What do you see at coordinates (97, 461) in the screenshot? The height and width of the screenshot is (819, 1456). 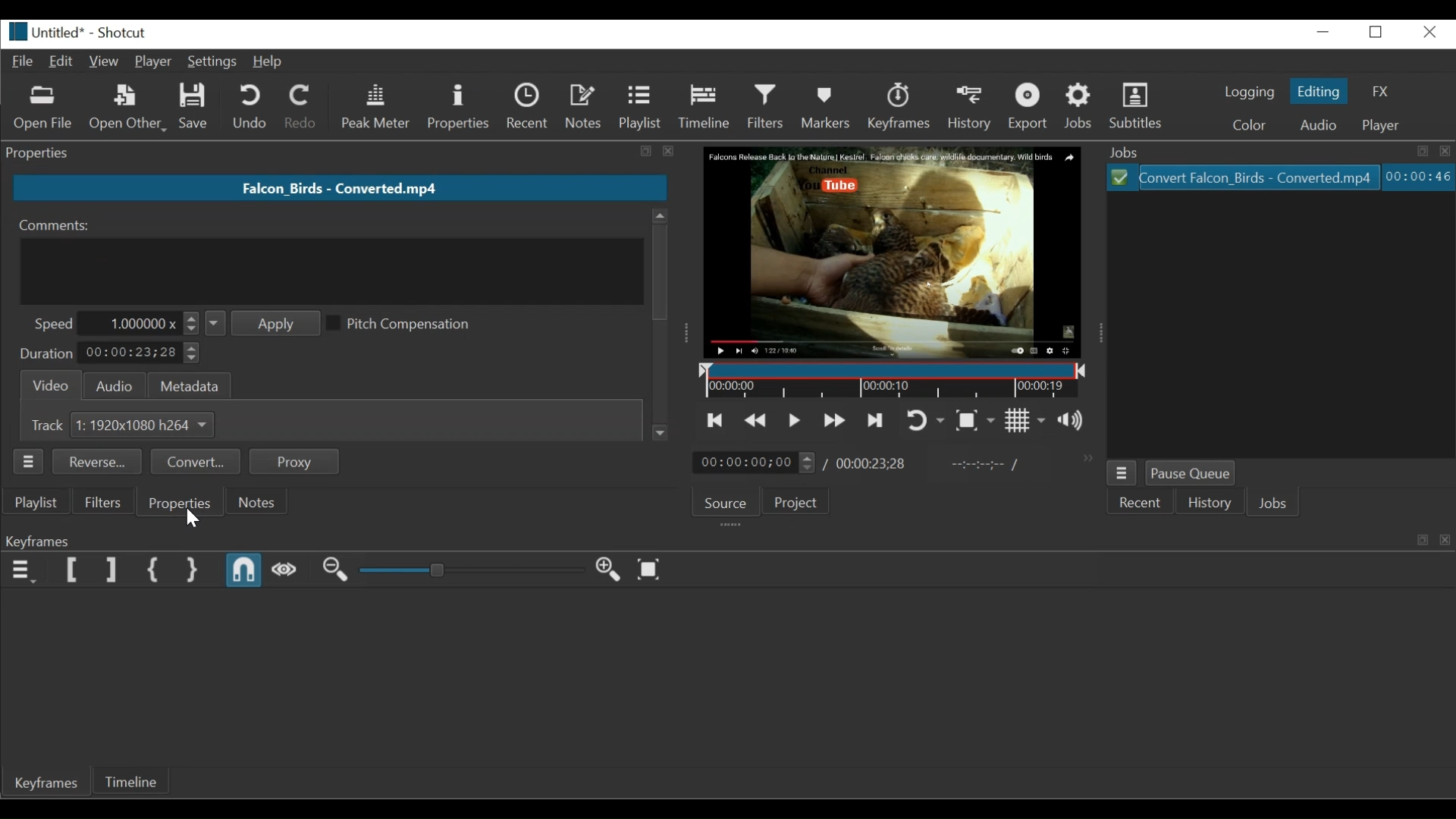 I see `Reverse` at bounding box center [97, 461].